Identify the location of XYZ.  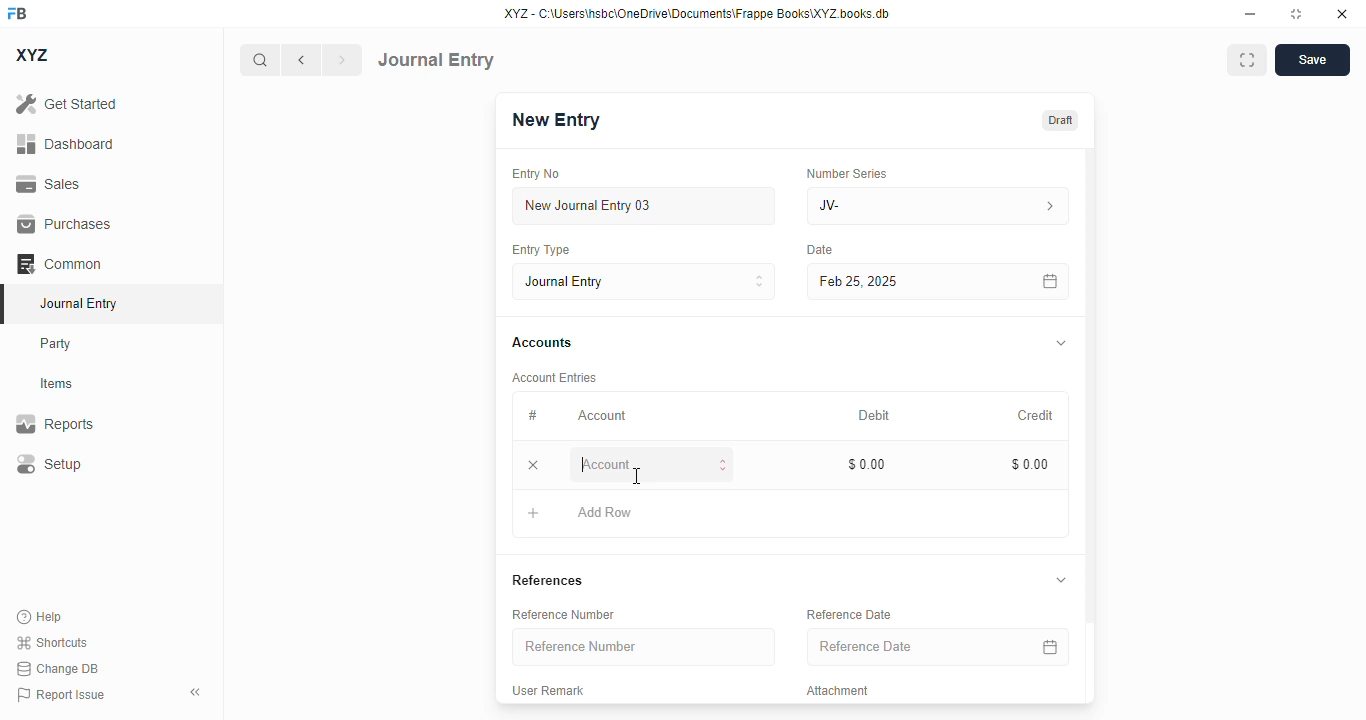
(33, 55).